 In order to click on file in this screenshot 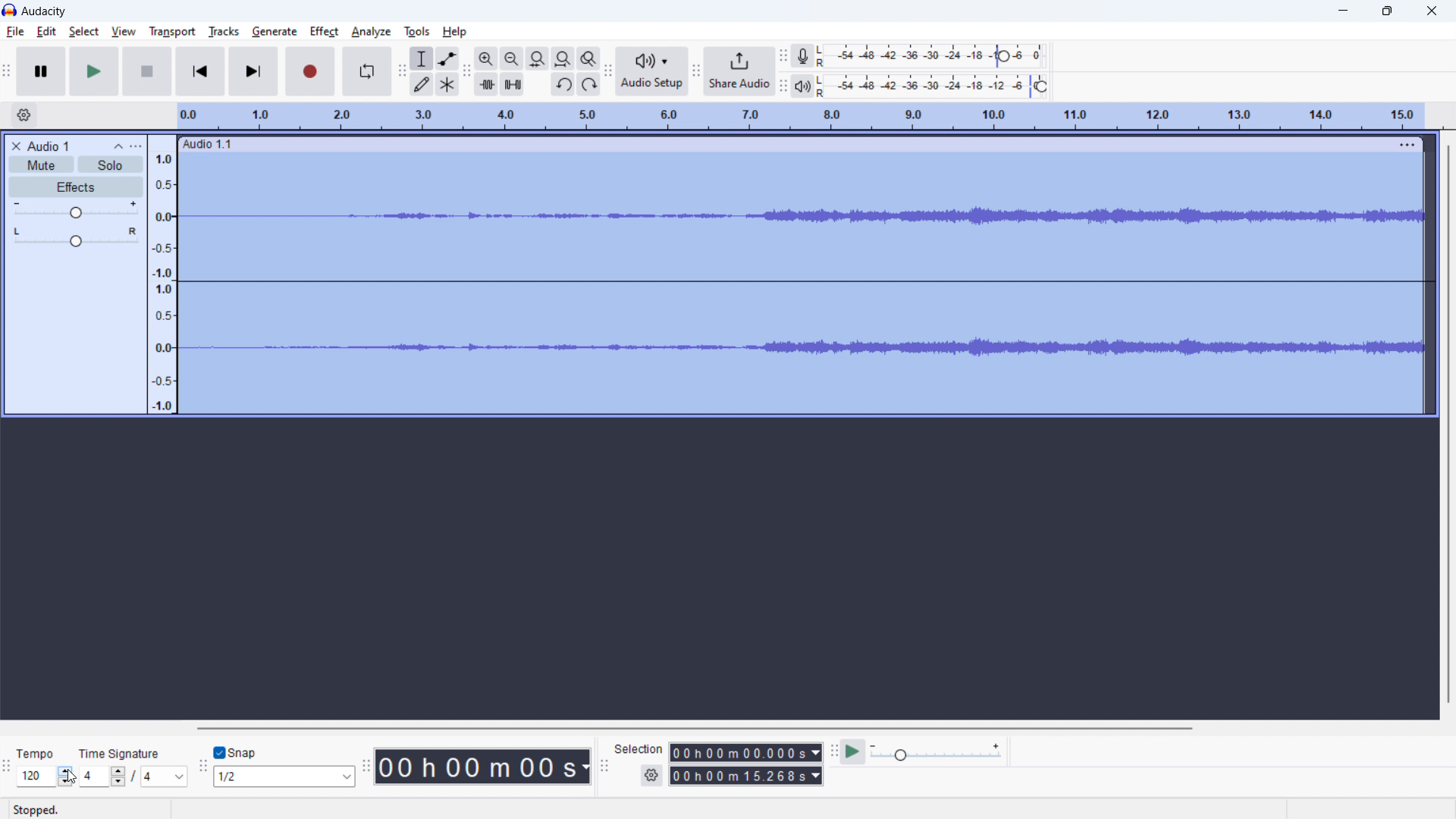, I will do `click(14, 33)`.